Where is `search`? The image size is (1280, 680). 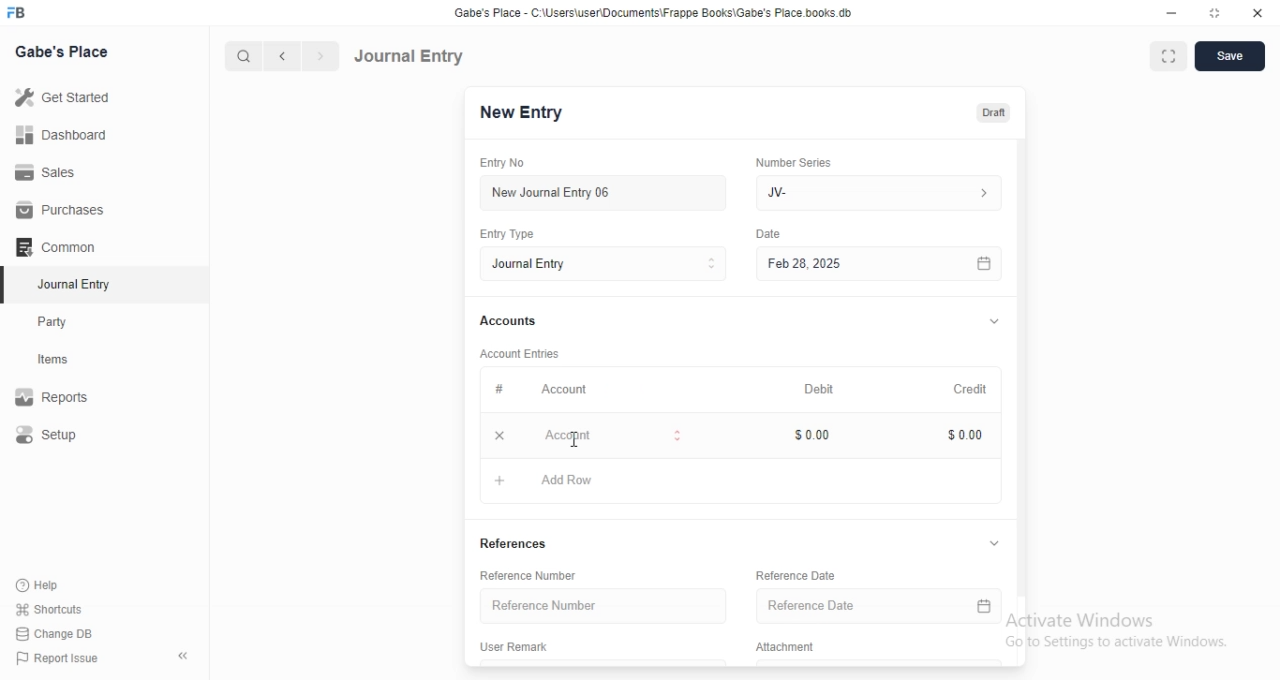
search is located at coordinates (245, 56).